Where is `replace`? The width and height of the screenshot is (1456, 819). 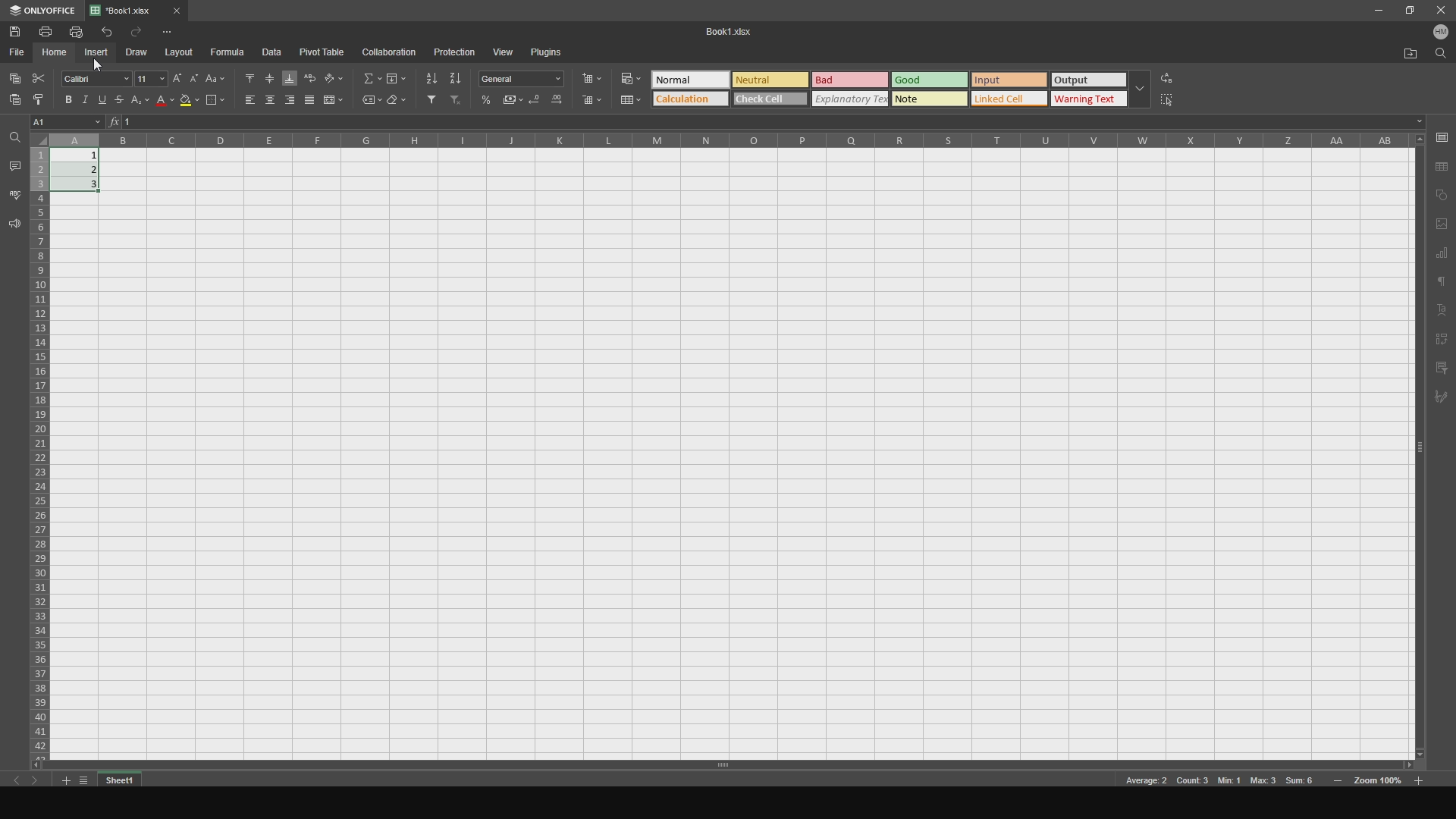
replace is located at coordinates (1180, 75).